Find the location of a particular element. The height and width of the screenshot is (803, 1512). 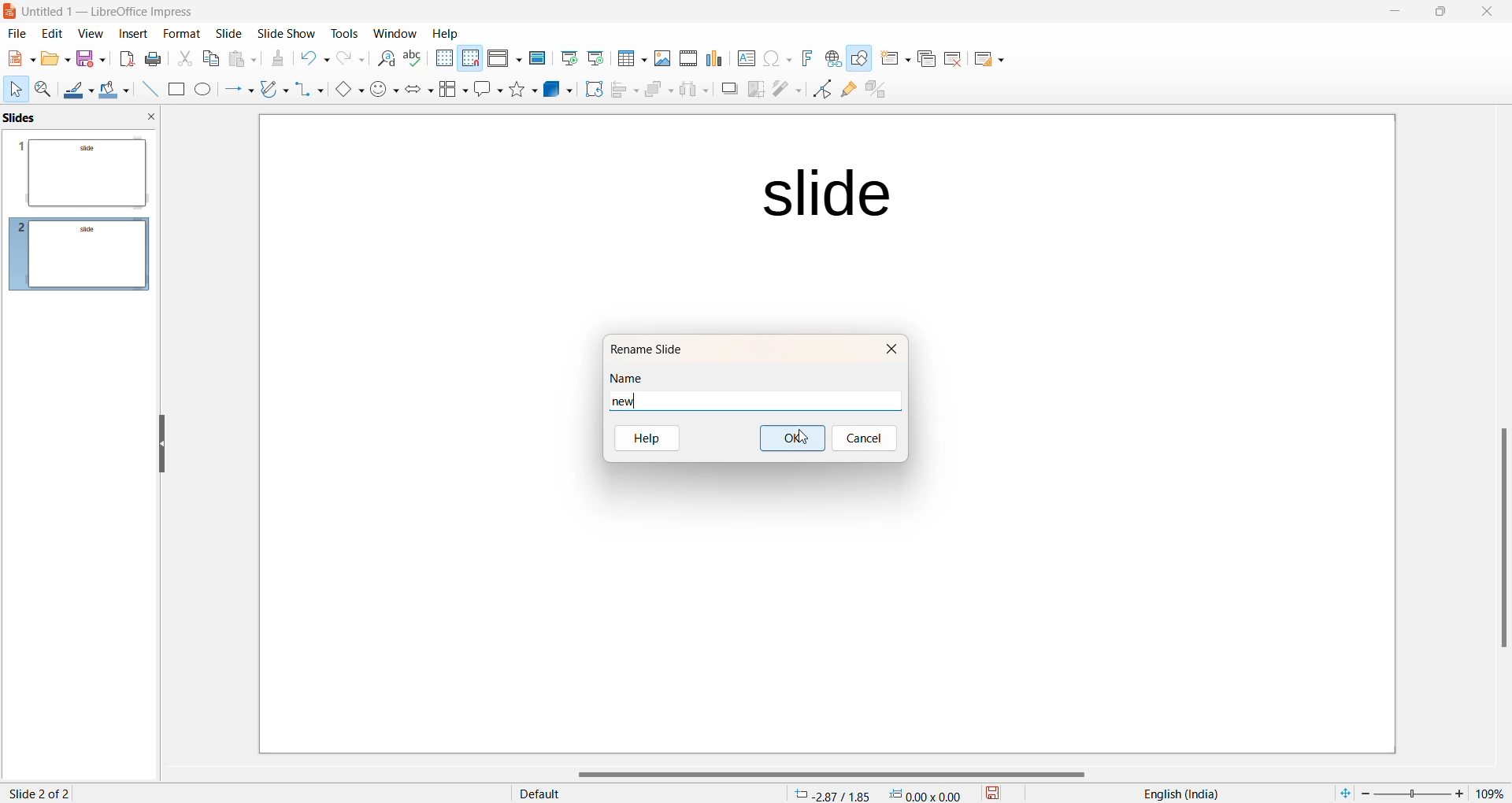

Align is located at coordinates (621, 91).